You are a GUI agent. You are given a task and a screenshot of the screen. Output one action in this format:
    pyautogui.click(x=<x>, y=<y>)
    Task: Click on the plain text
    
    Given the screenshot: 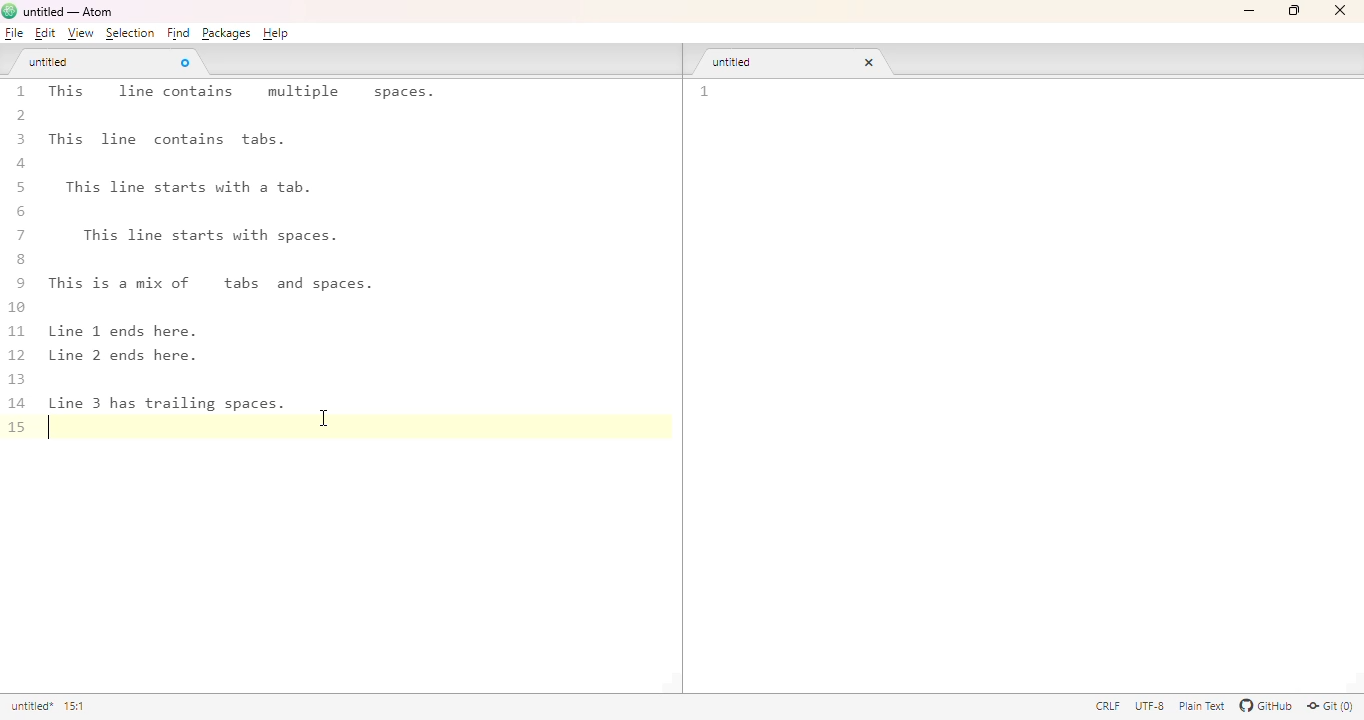 What is the action you would take?
    pyautogui.click(x=1204, y=706)
    